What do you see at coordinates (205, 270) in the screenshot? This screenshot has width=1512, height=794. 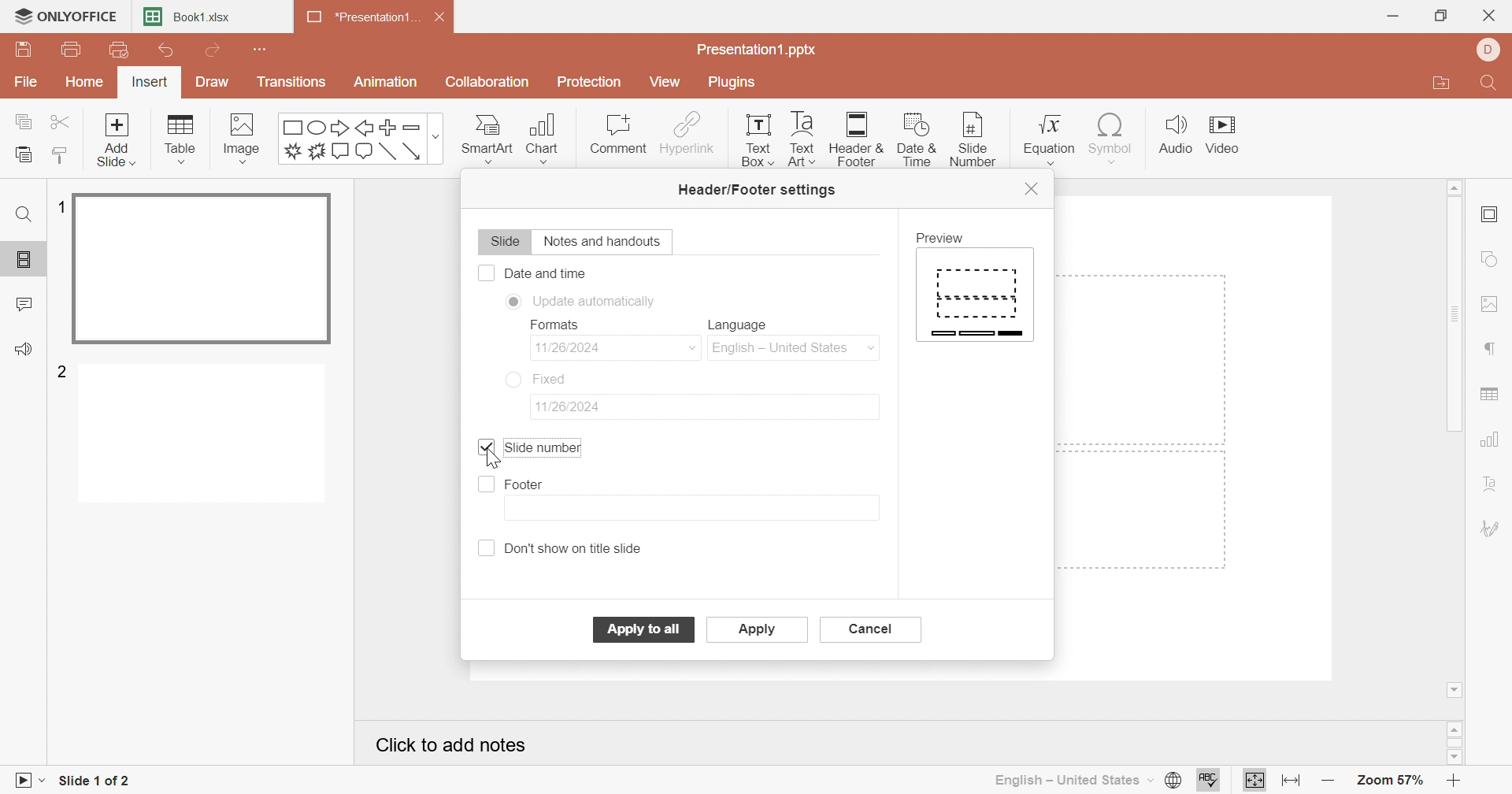 I see `Slide 1` at bounding box center [205, 270].